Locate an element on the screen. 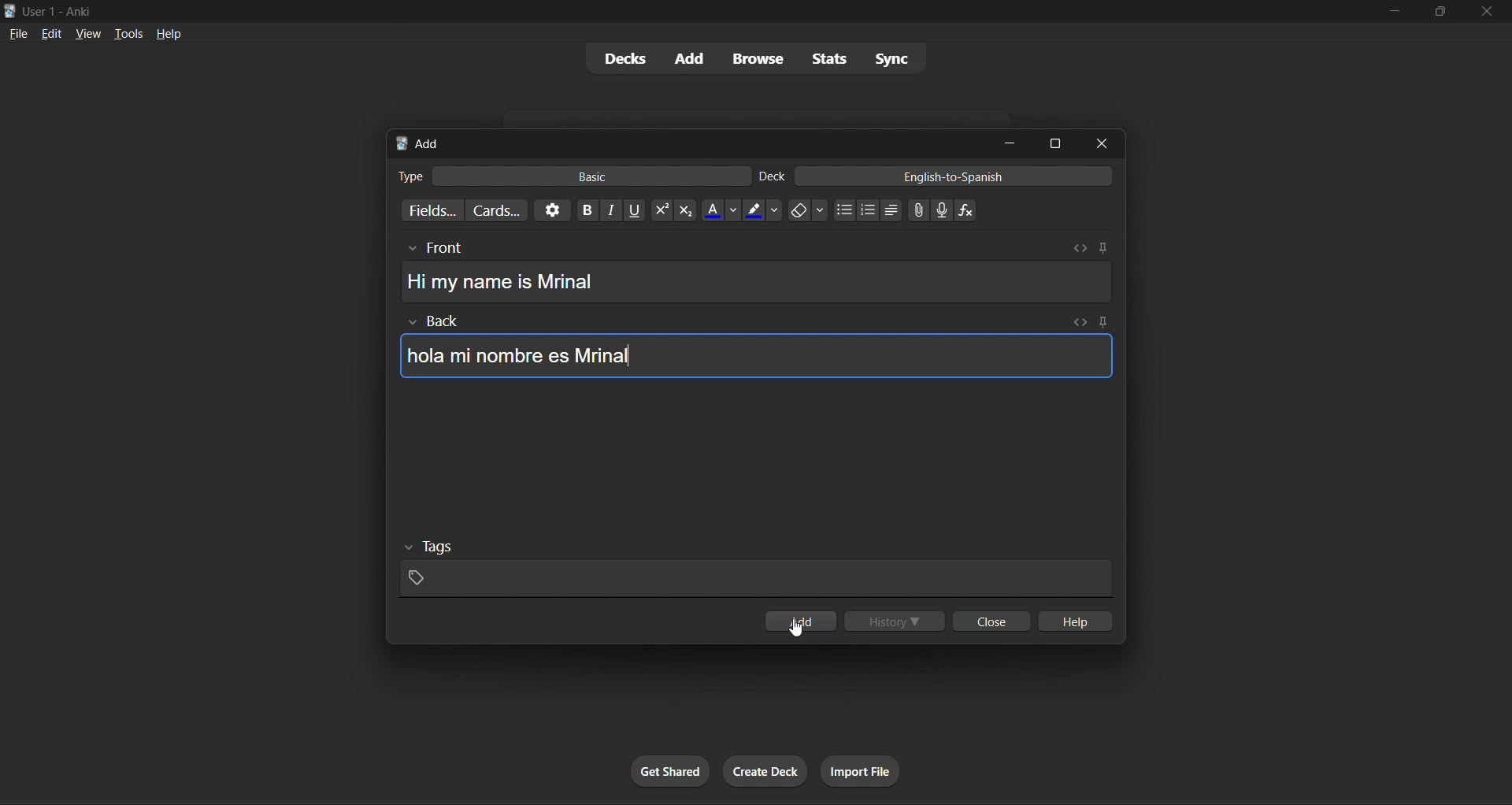 The height and width of the screenshot is (805, 1512). import file is located at coordinates (863, 770).